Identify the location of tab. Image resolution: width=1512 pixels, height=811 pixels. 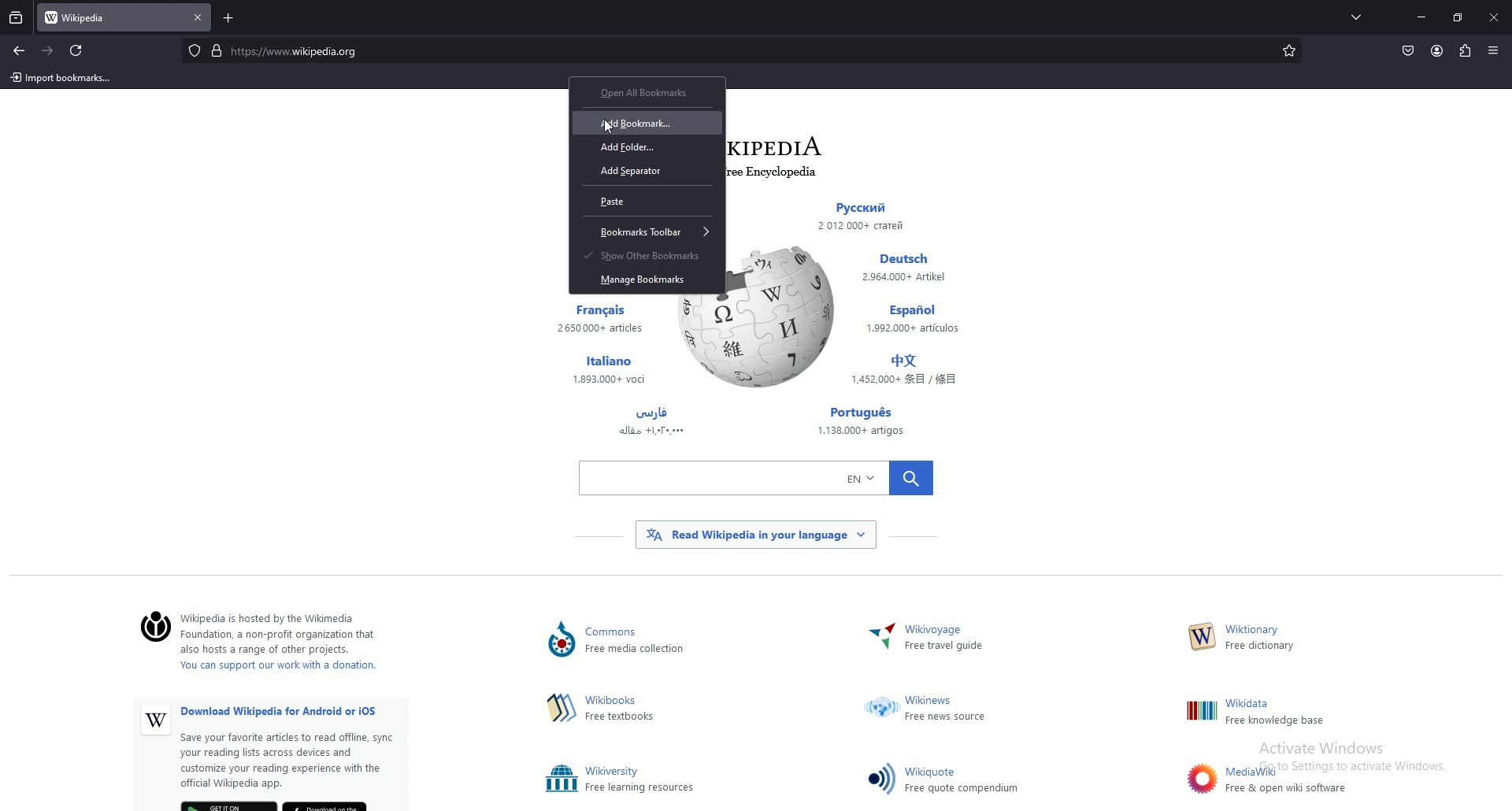
(107, 19).